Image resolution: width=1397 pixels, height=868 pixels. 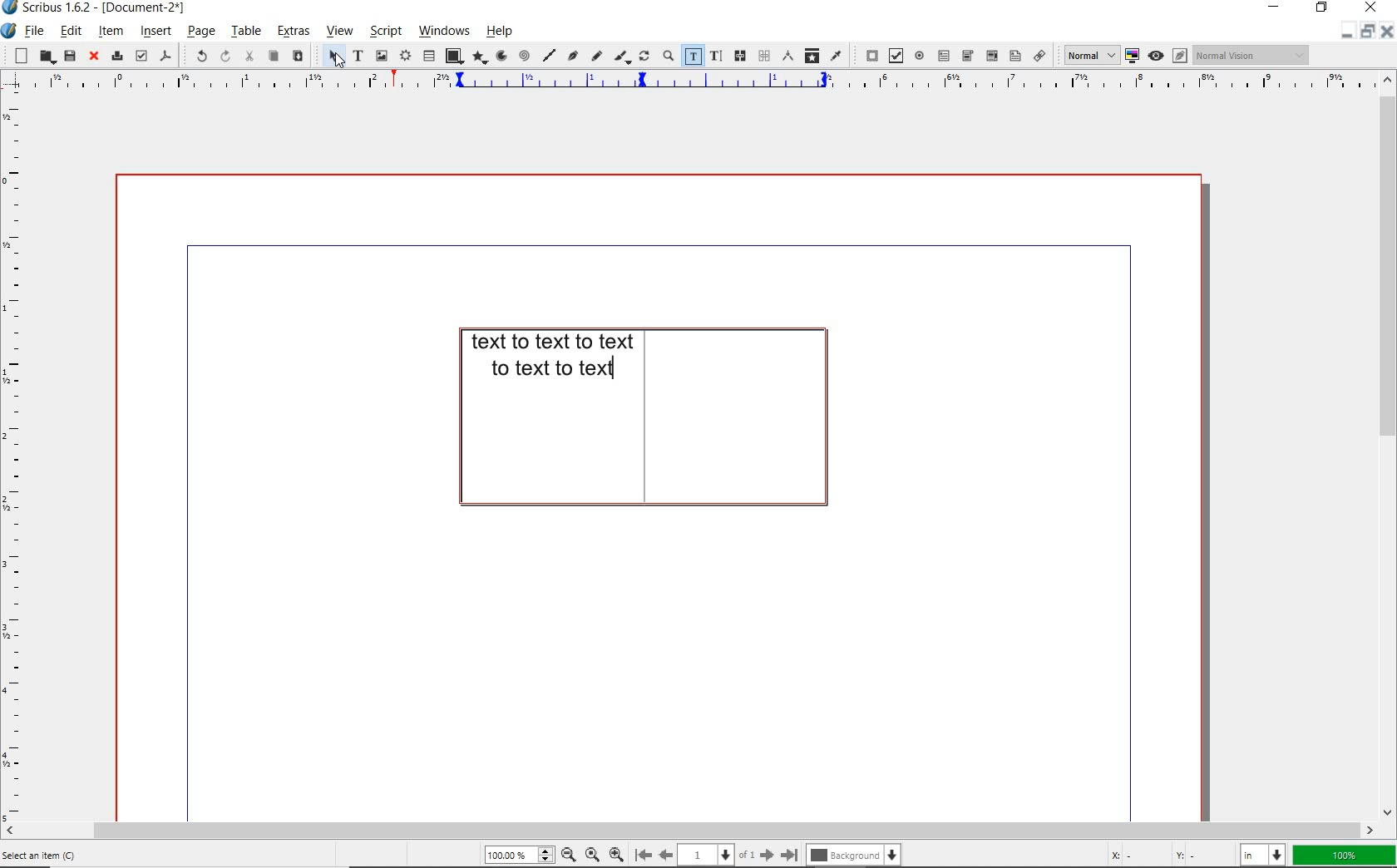 What do you see at coordinates (93, 57) in the screenshot?
I see `close` at bounding box center [93, 57].